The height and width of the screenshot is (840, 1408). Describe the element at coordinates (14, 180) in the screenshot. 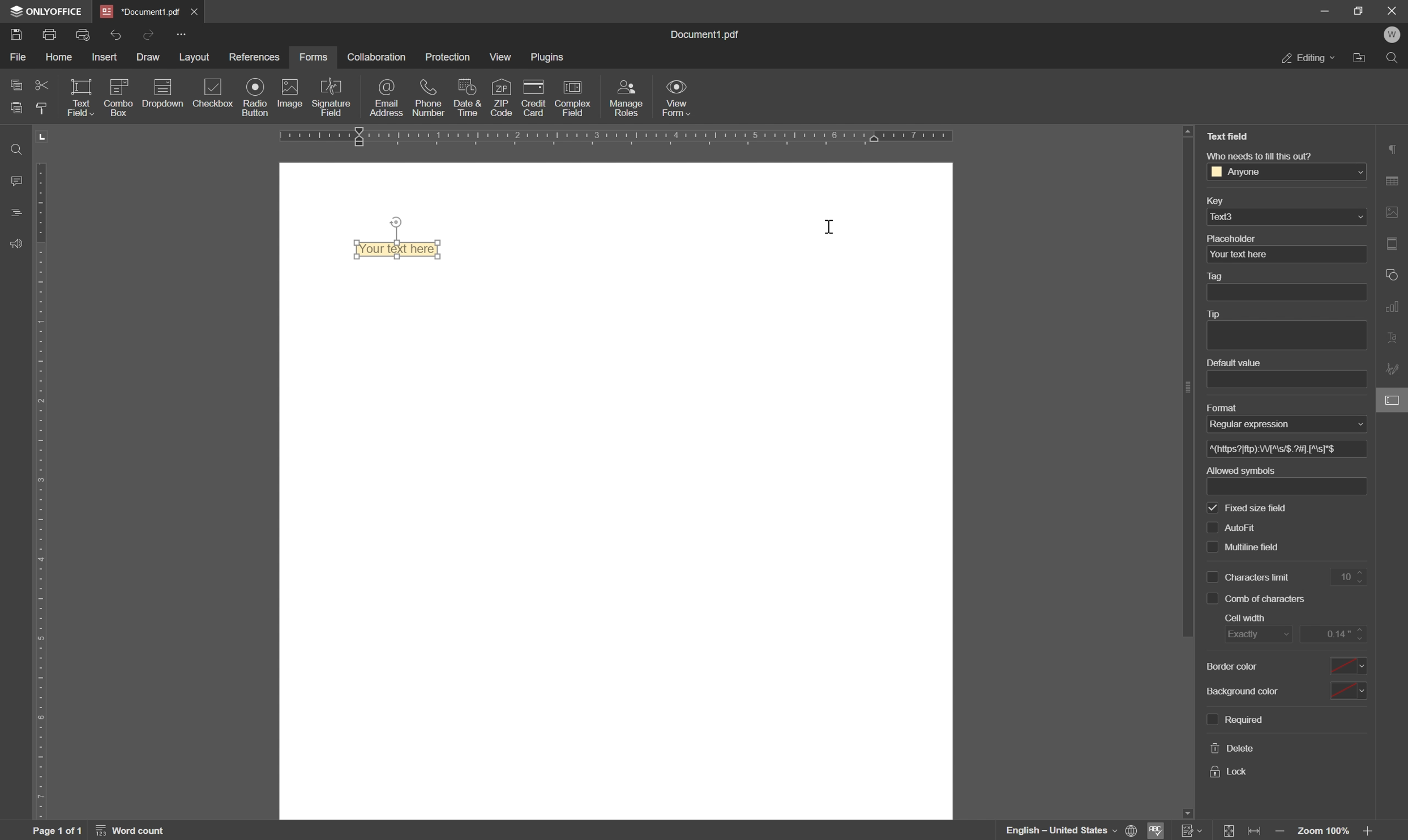

I see `comments` at that location.